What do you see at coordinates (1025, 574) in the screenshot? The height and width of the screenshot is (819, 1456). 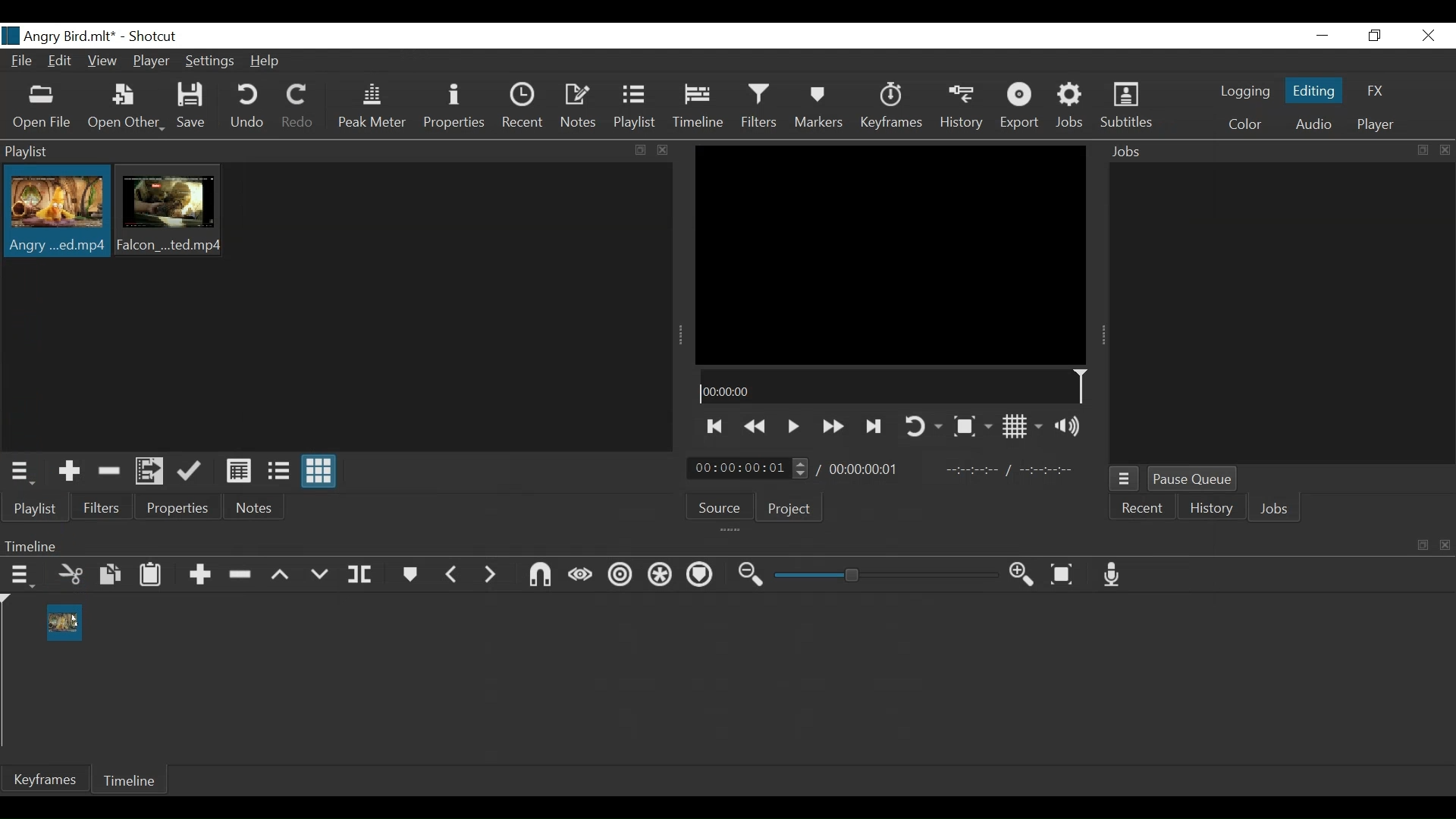 I see `Zoom timeline in` at bounding box center [1025, 574].